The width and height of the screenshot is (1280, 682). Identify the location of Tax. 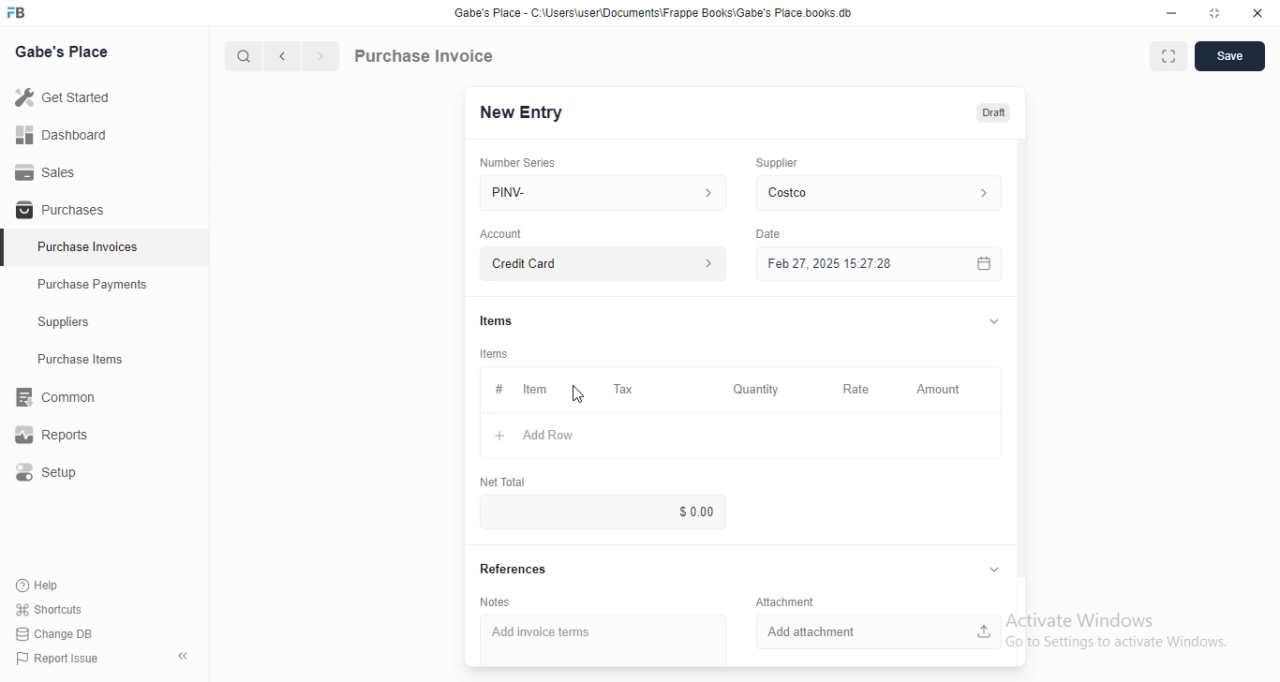
(626, 389).